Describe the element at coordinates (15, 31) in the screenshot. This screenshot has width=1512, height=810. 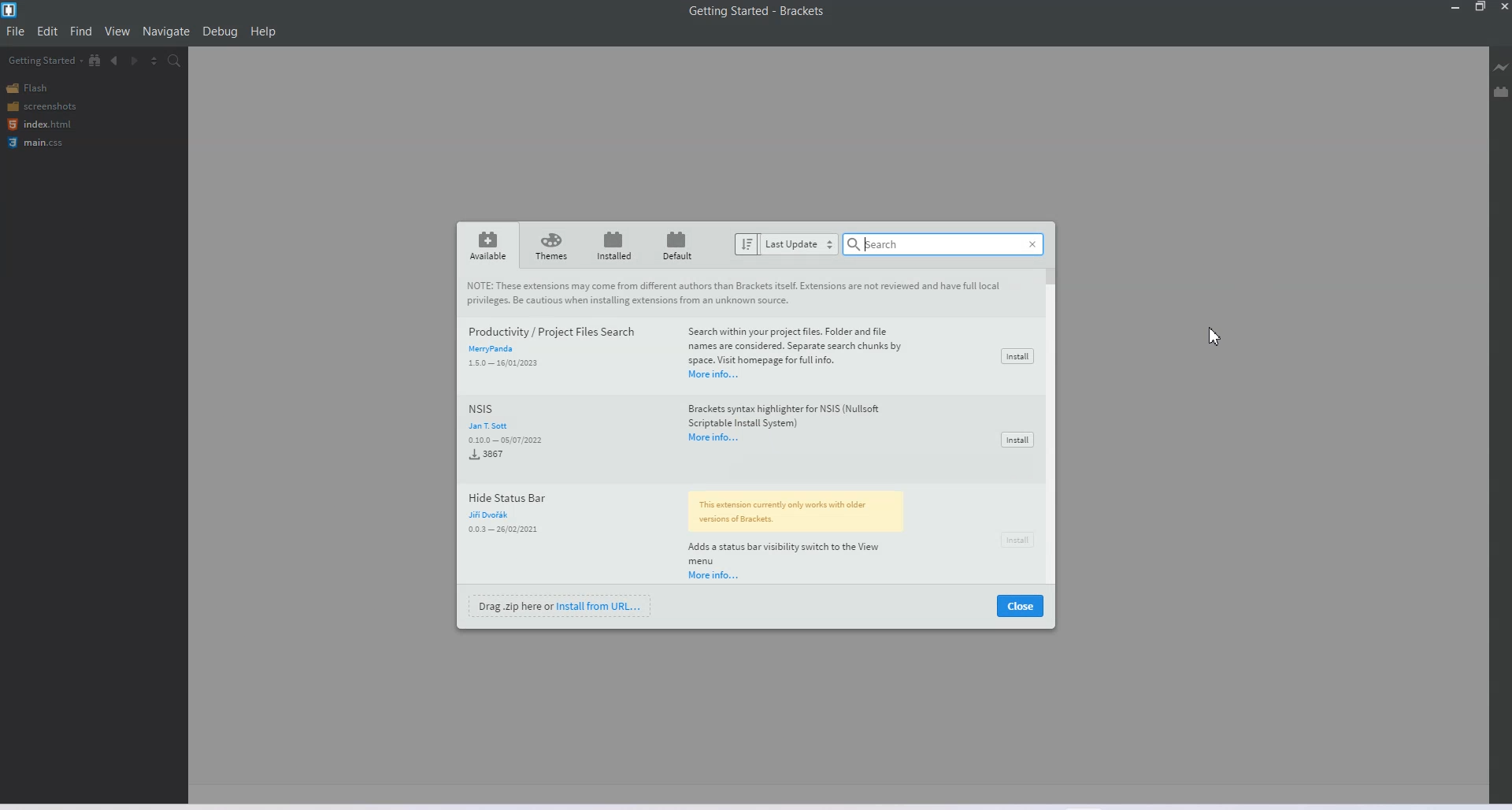
I see `File` at that location.